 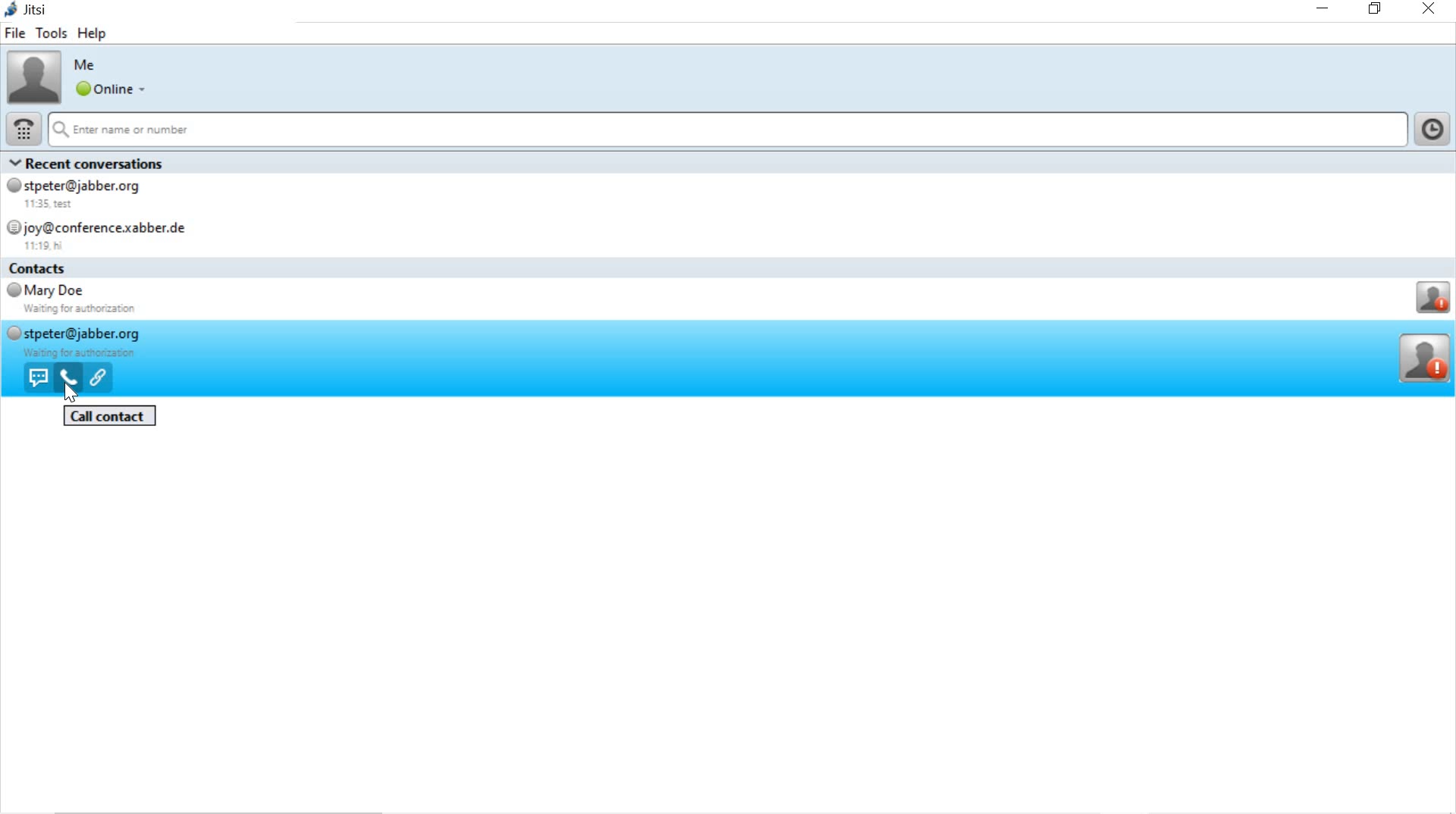 I want to click on help, so click(x=95, y=36).